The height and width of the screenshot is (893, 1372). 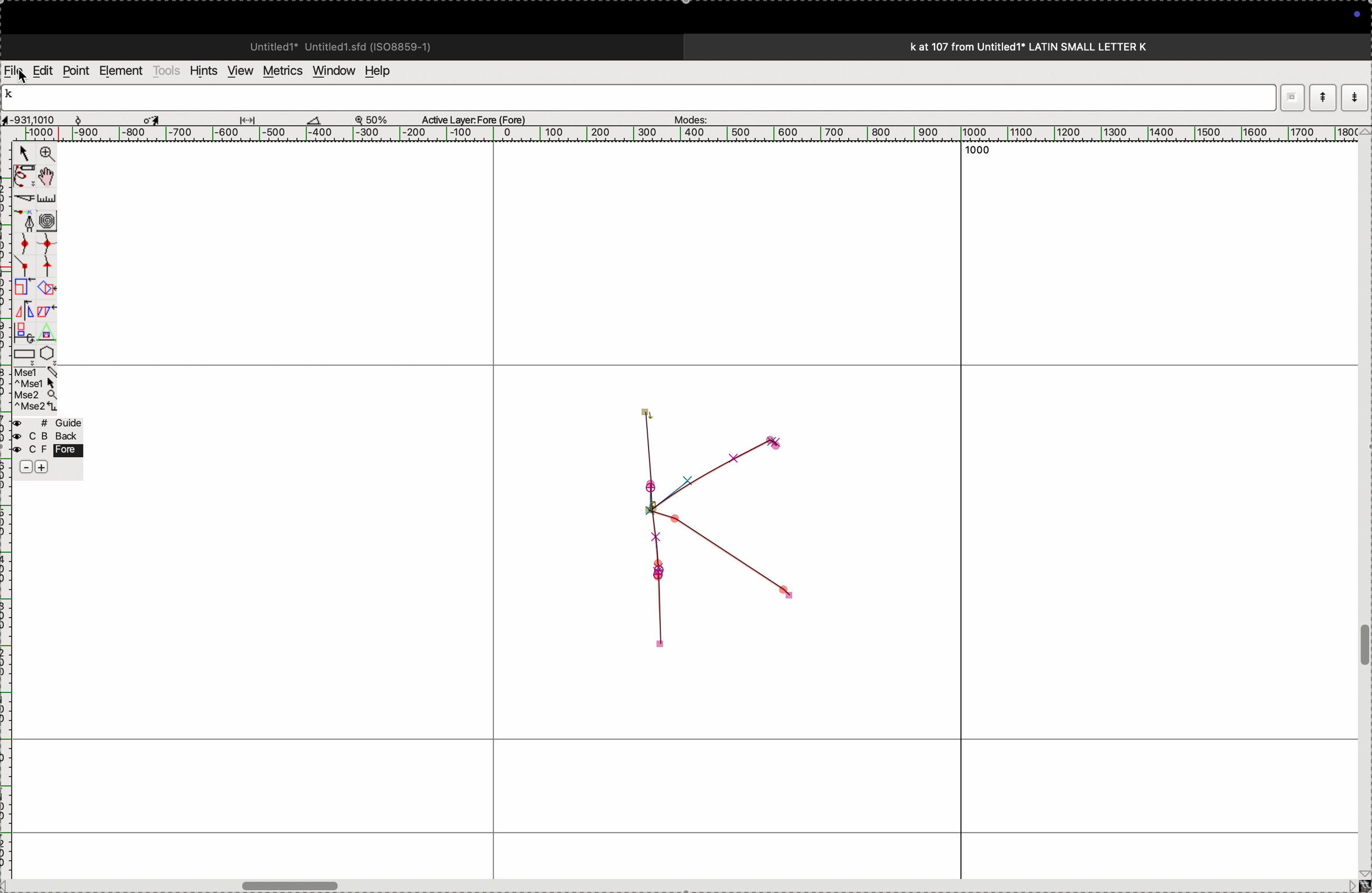 What do you see at coordinates (36, 390) in the screenshot?
I see `mse` at bounding box center [36, 390].